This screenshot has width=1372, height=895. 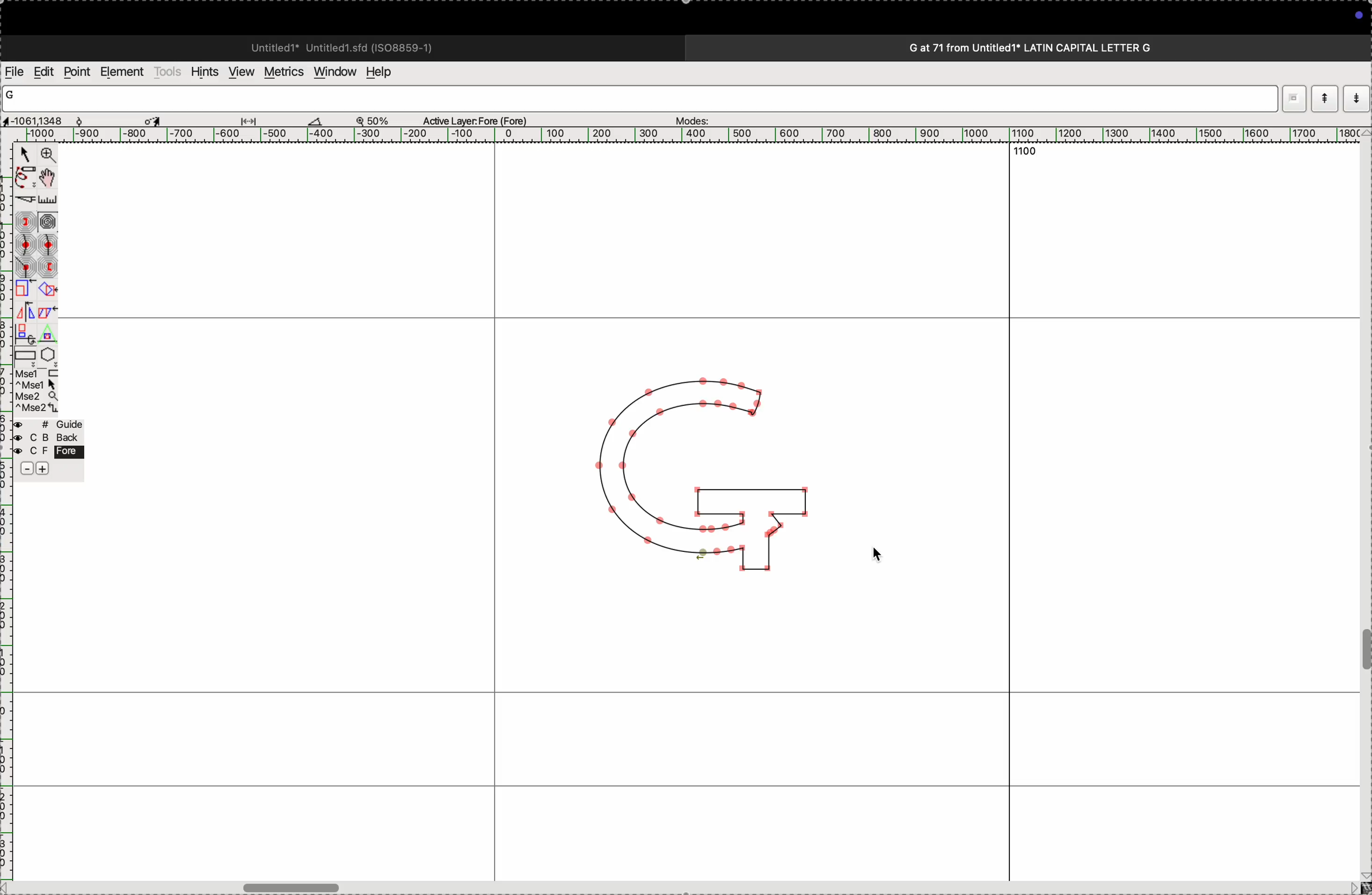 I want to click on freehand, so click(x=25, y=179).